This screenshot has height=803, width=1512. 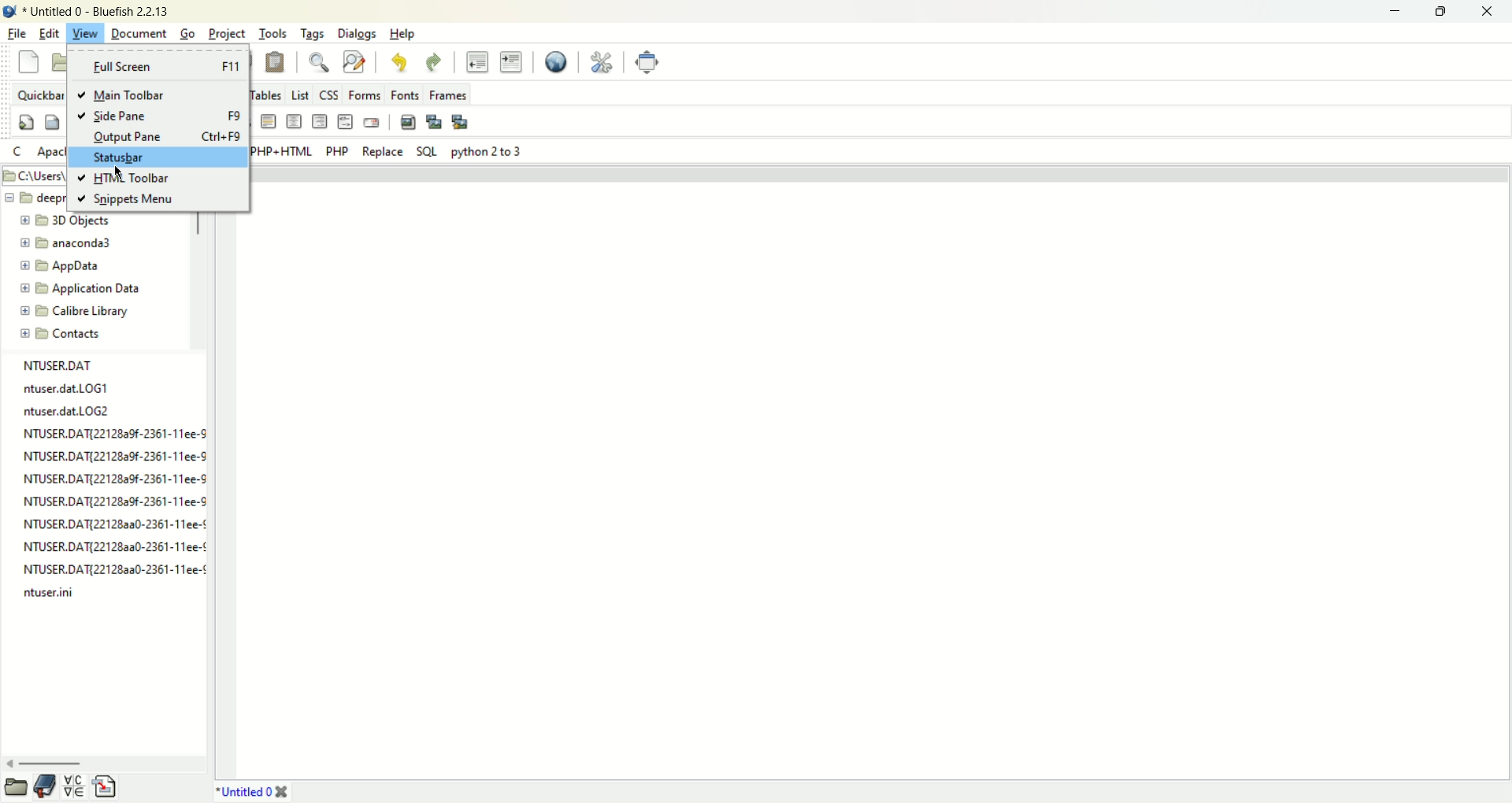 What do you see at coordinates (72, 787) in the screenshot?
I see `char map` at bounding box center [72, 787].